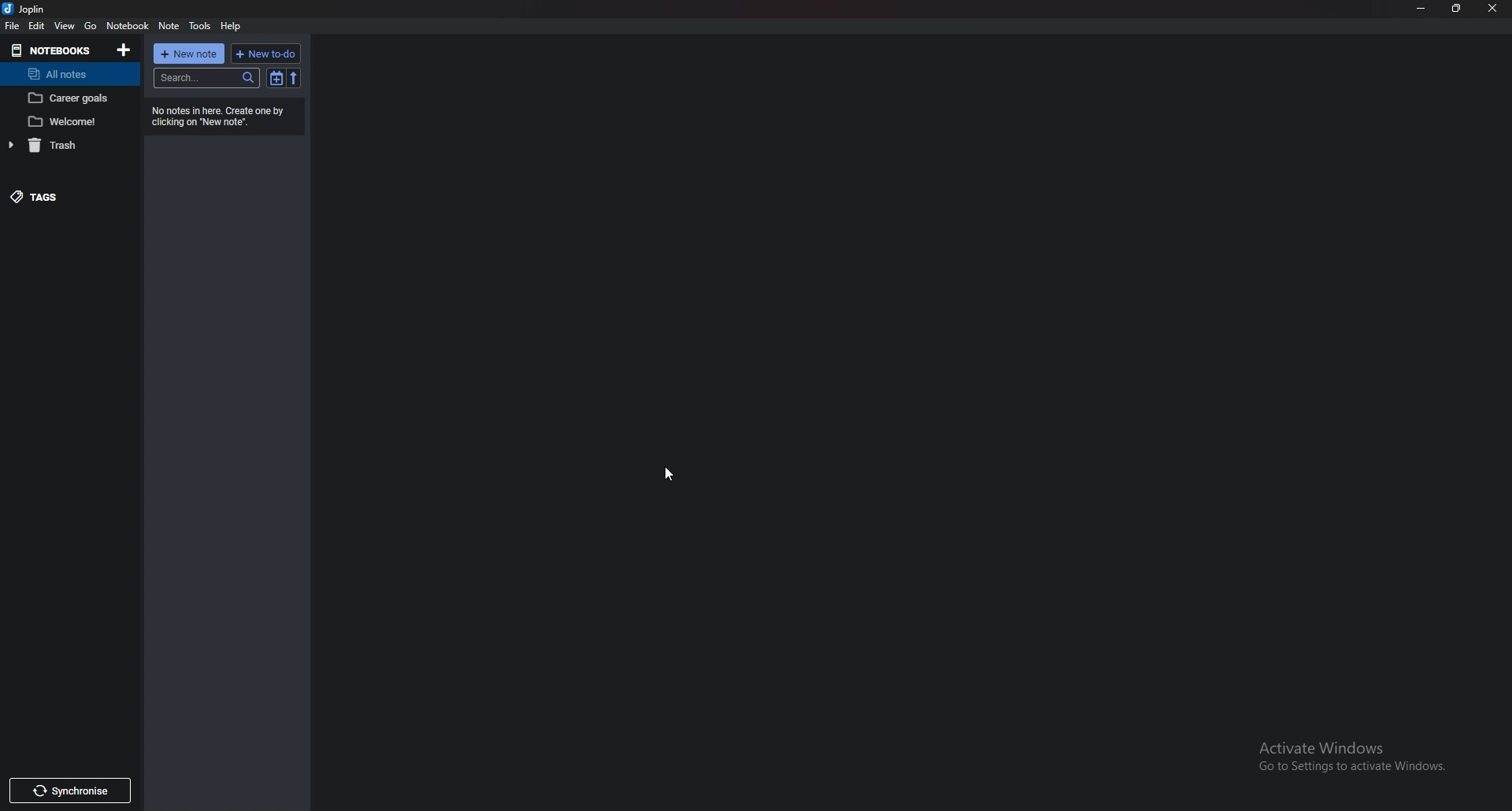 The image size is (1512, 811). I want to click on info, so click(226, 117).